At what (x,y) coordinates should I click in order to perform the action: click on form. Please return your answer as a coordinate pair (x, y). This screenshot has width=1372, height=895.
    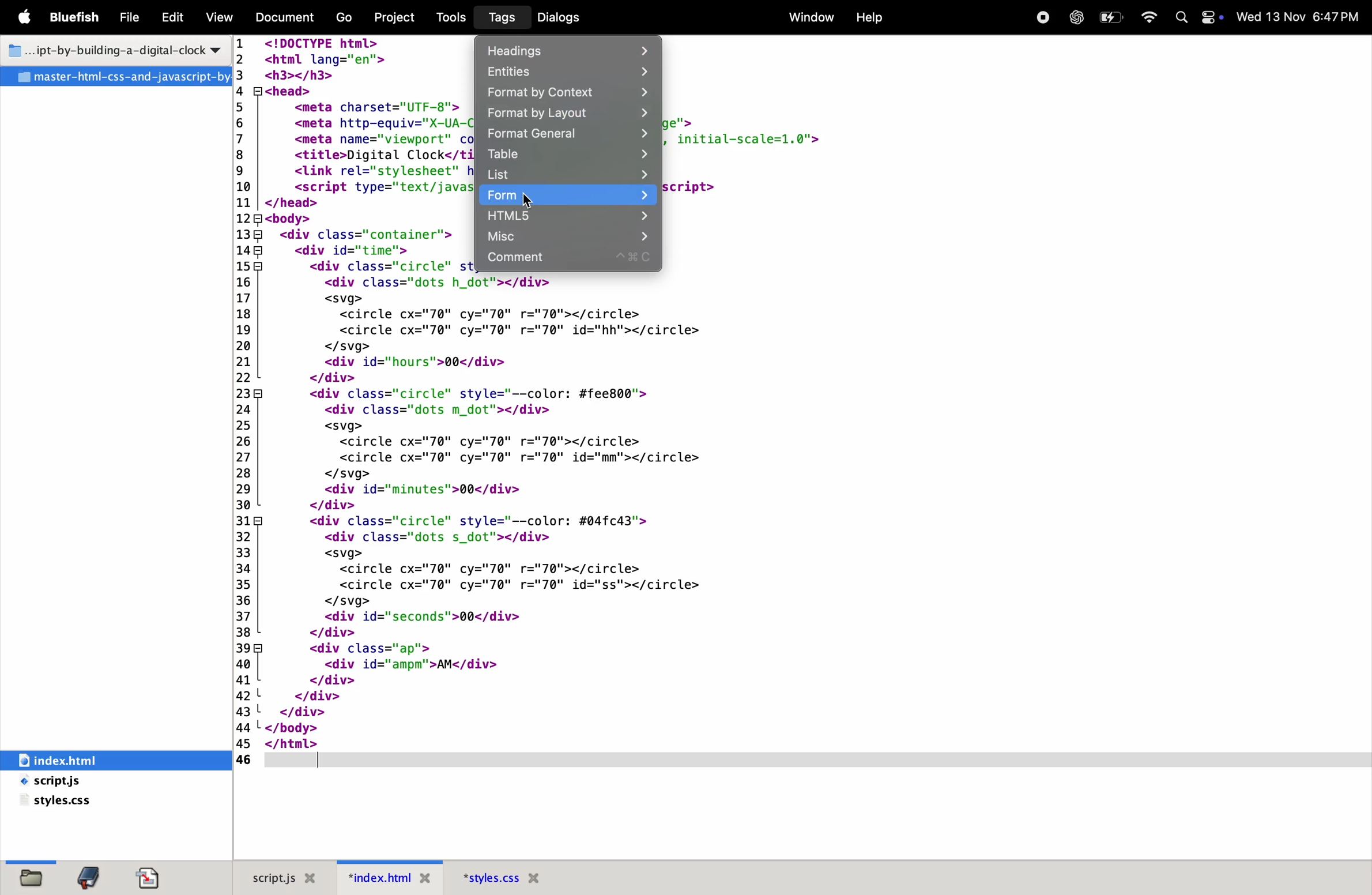
    Looking at the image, I should click on (566, 195).